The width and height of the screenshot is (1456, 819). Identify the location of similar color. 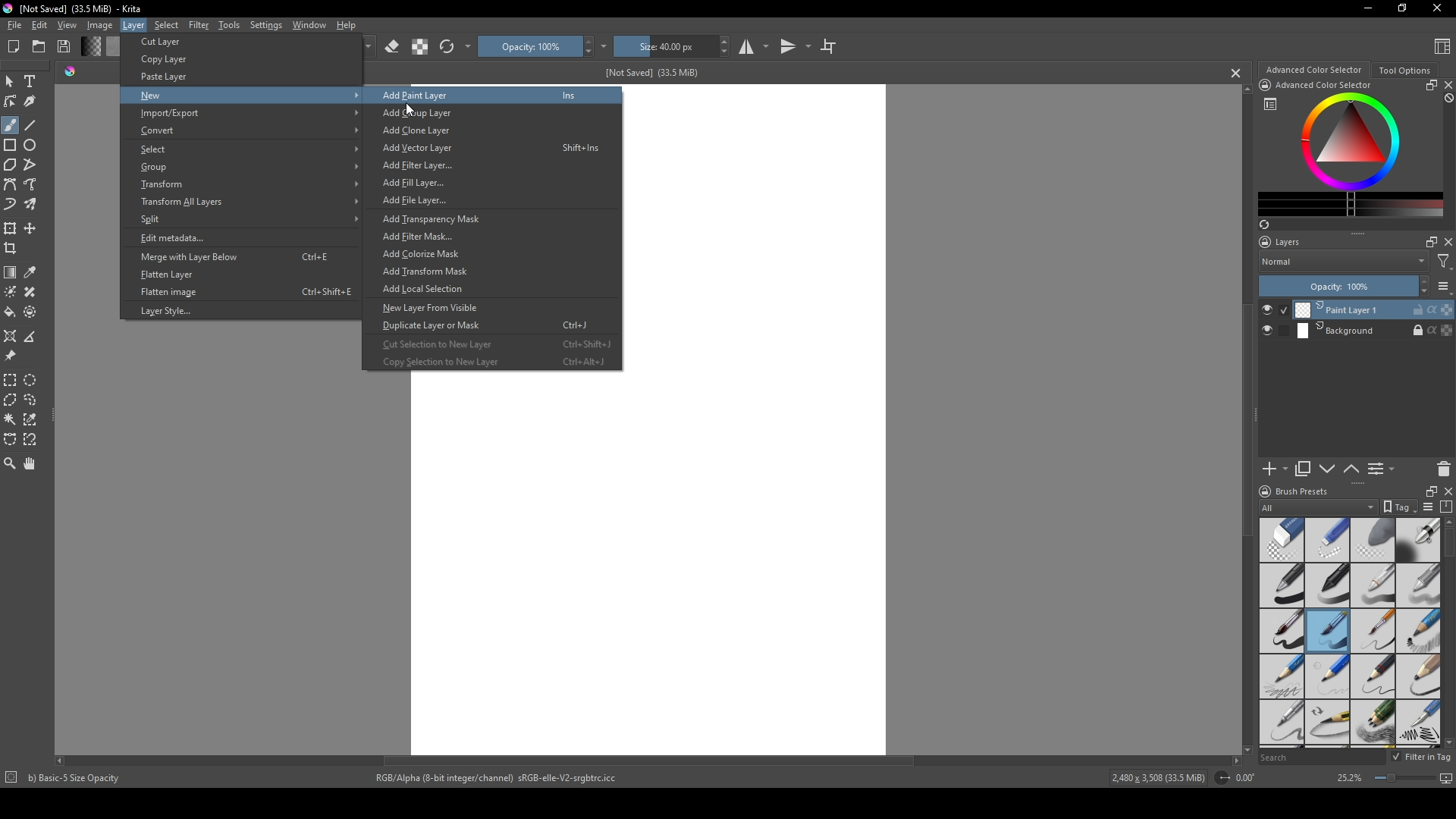
(33, 419).